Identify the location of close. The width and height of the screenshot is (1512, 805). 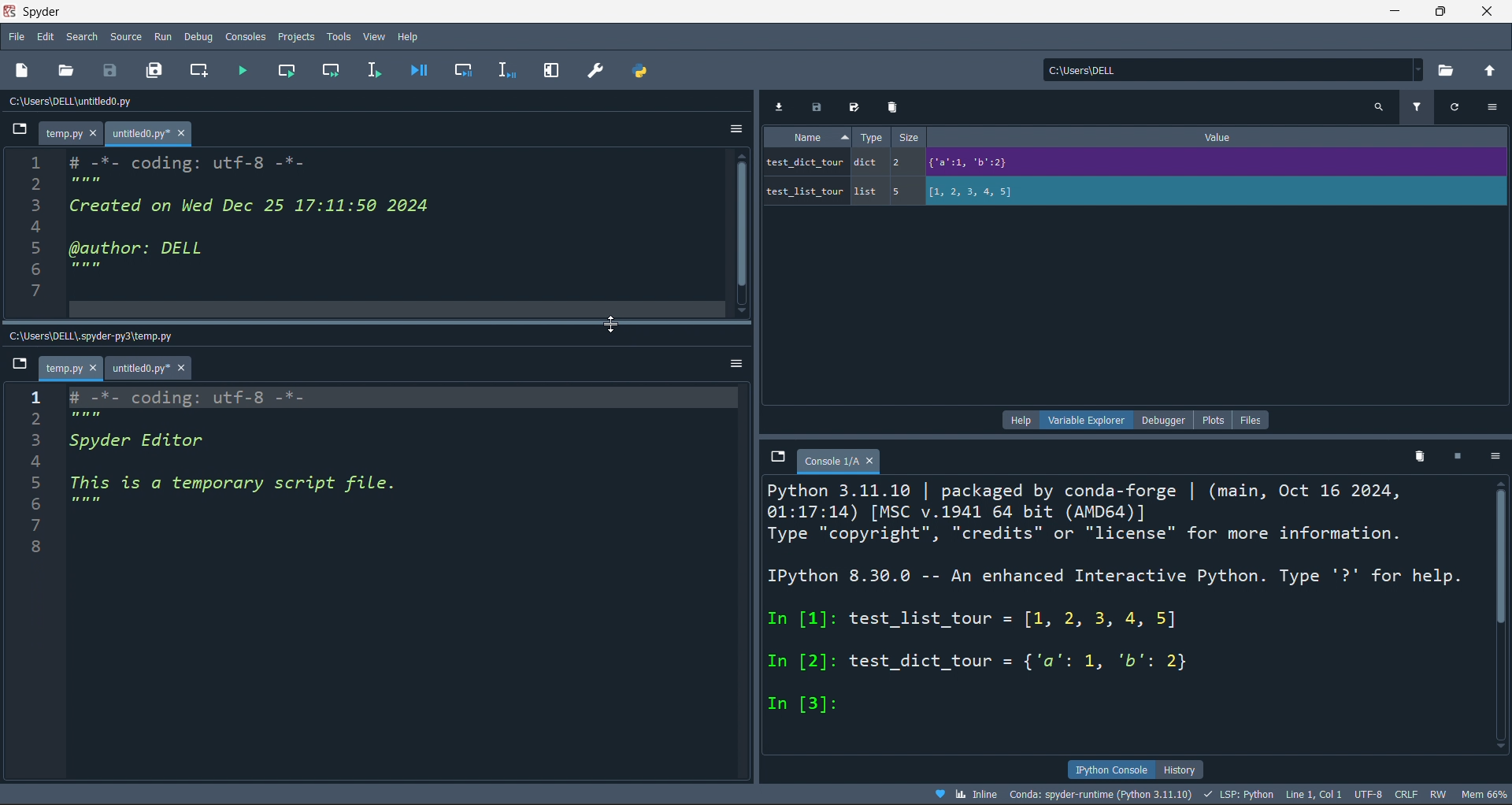
(1490, 12).